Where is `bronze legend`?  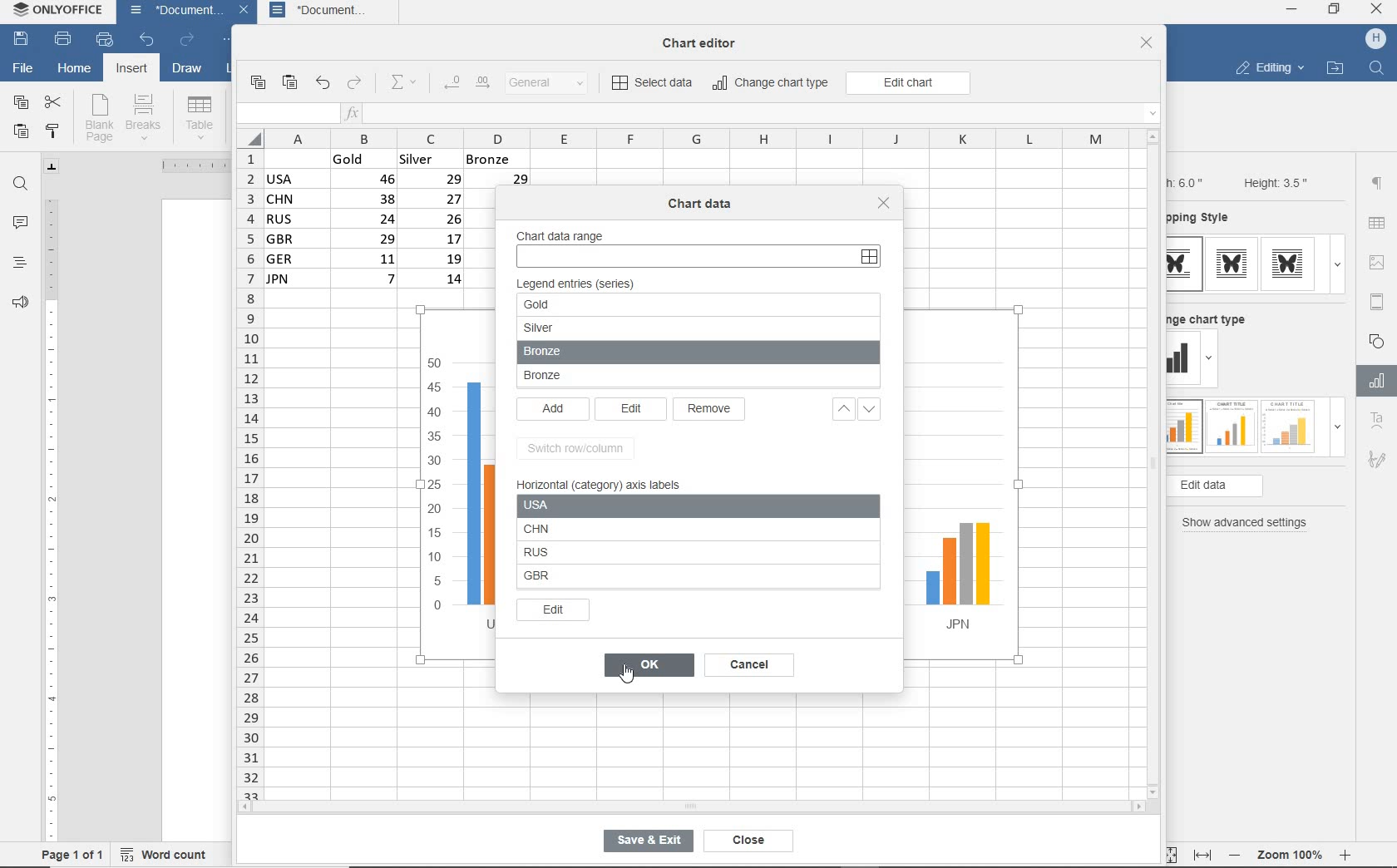
bronze legend is located at coordinates (697, 378).